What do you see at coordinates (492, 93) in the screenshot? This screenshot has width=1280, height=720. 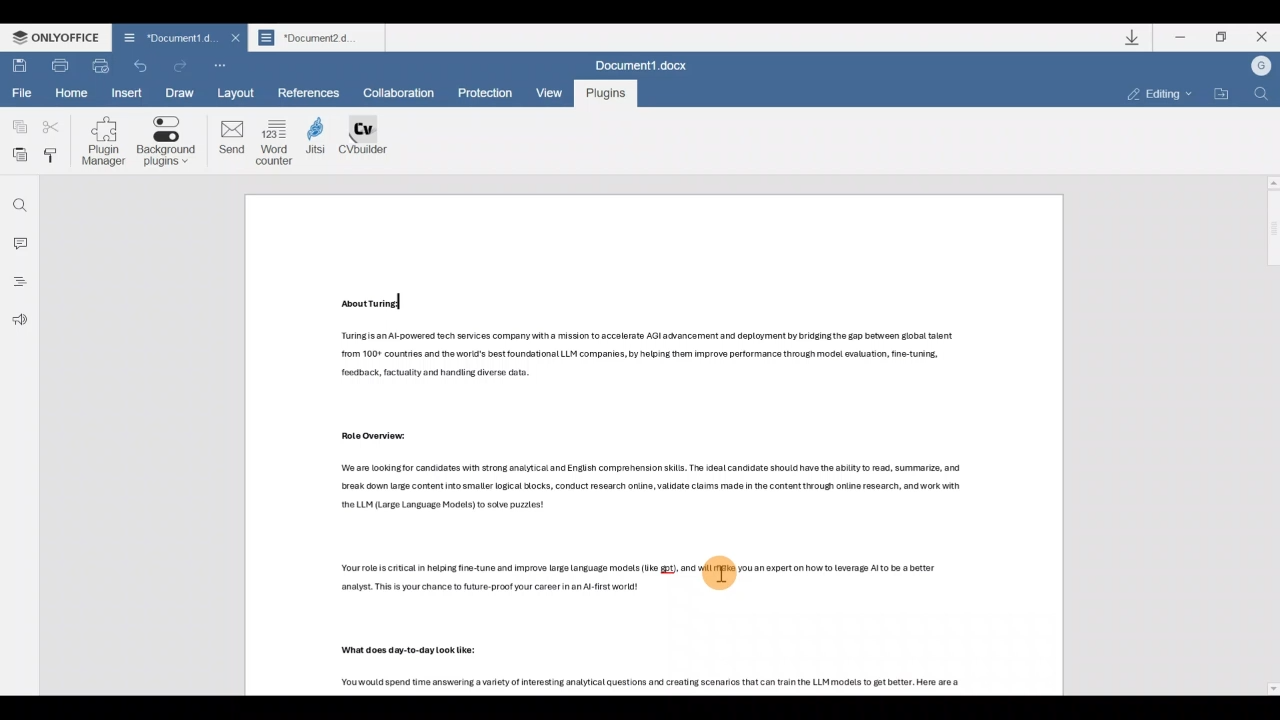 I see `Protection` at bounding box center [492, 93].